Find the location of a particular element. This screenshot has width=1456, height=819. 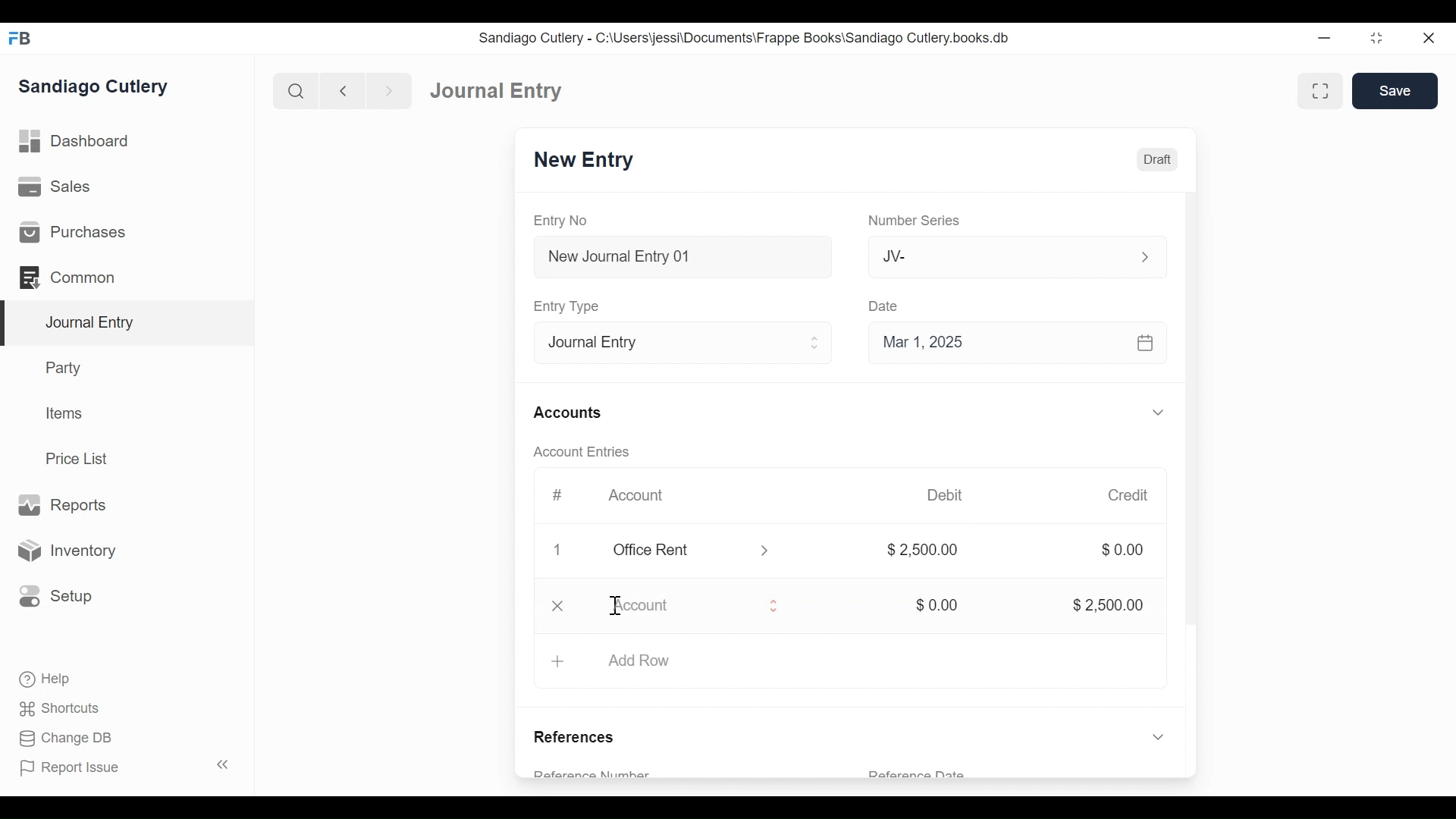

Change DB is located at coordinates (59, 739).